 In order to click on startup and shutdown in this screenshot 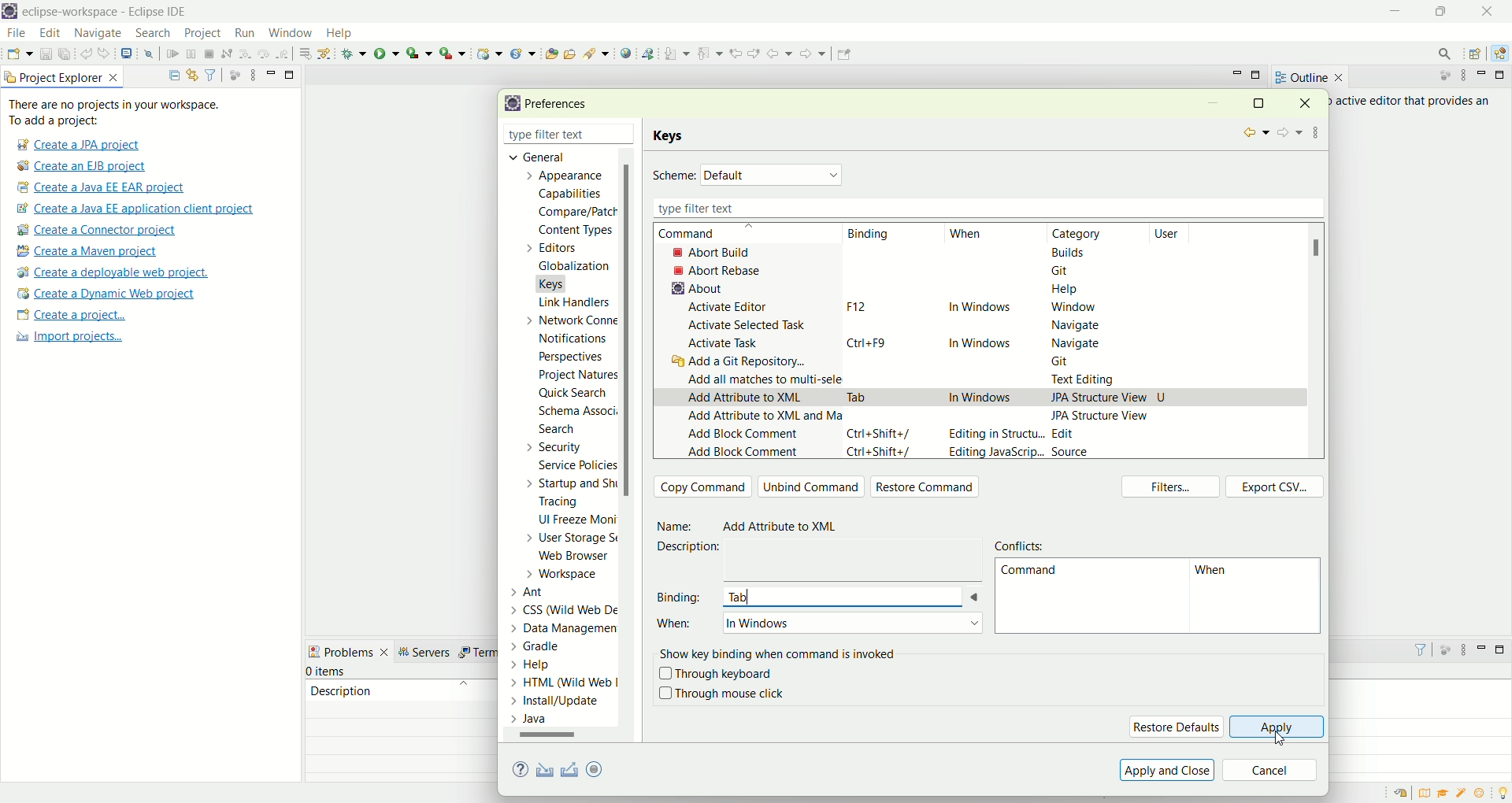, I will do `click(574, 483)`.